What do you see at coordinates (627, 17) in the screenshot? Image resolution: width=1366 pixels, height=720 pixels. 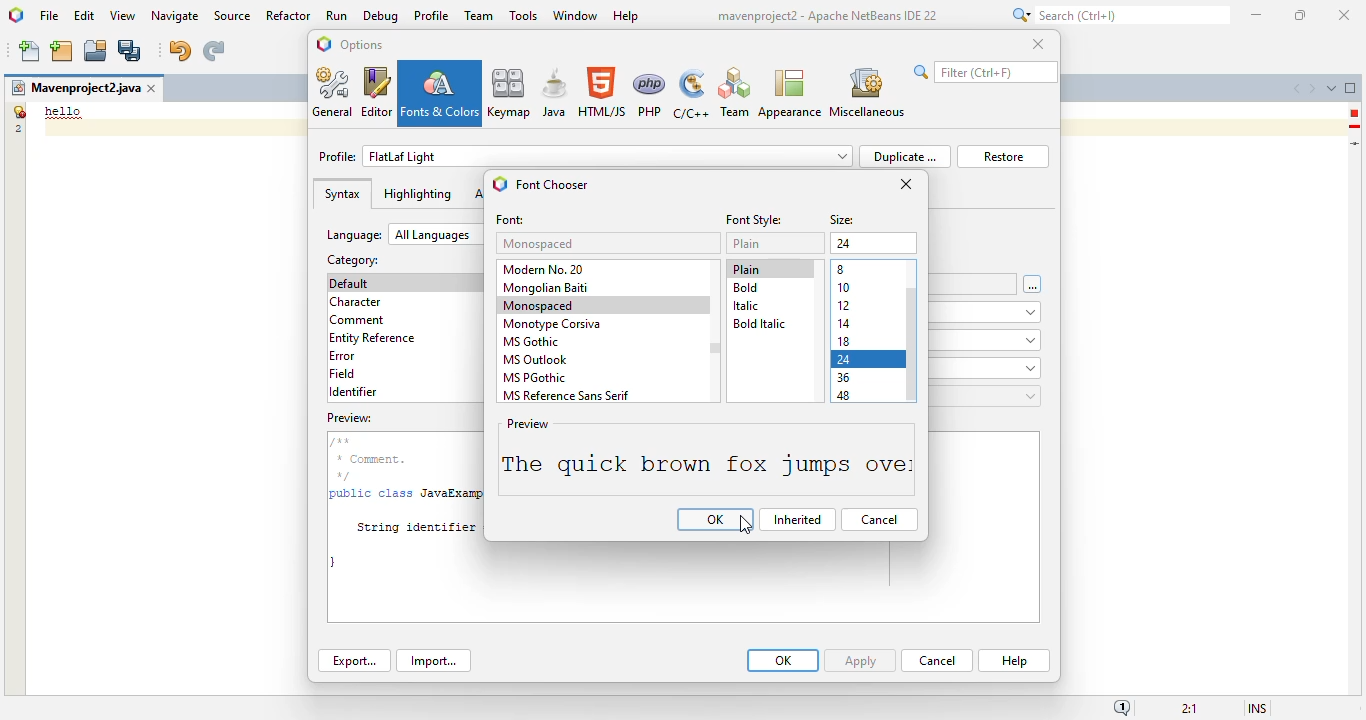 I see `help` at bounding box center [627, 17].